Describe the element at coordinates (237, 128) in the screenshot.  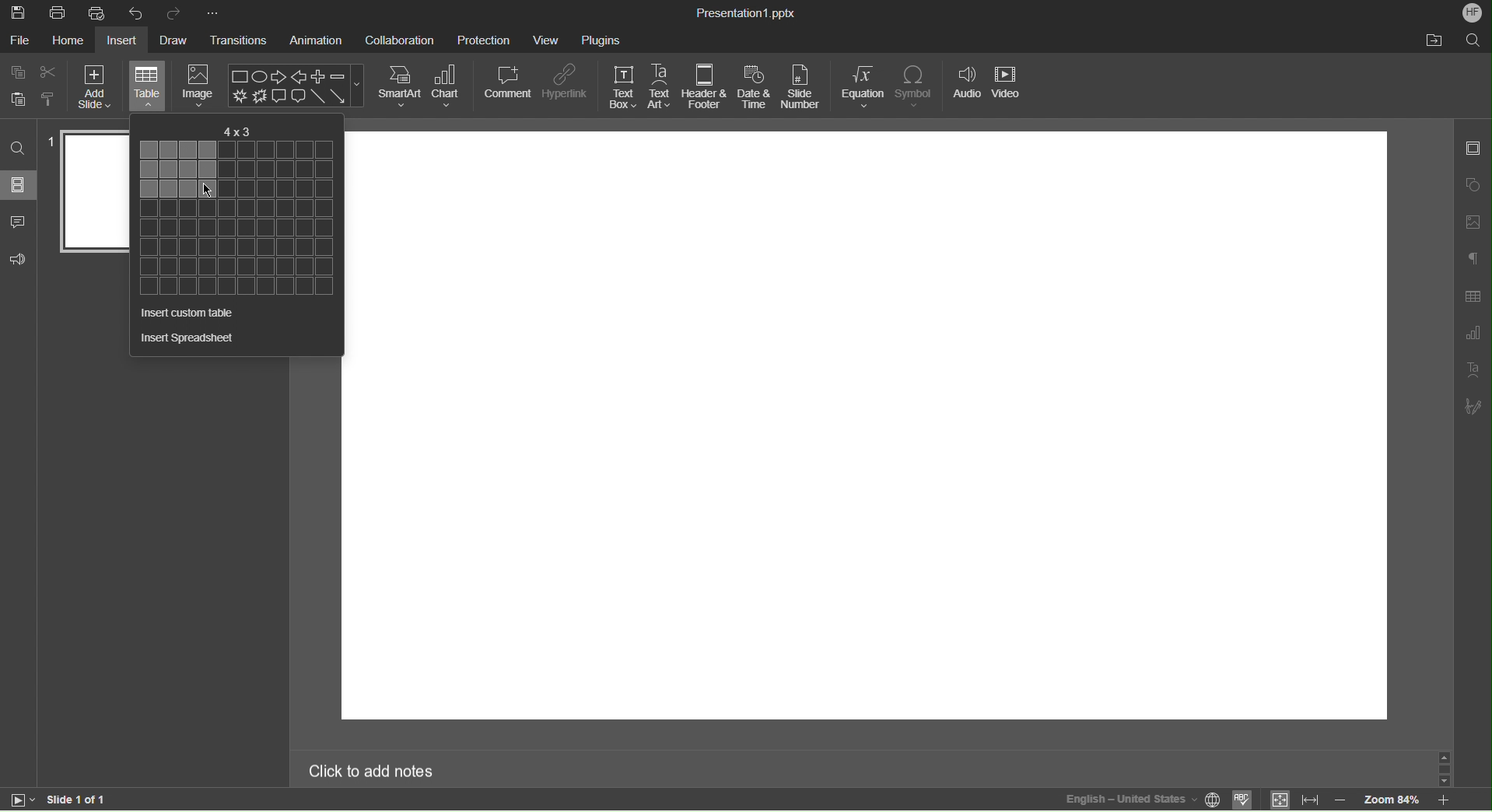
I see `4 x 3` at that location.